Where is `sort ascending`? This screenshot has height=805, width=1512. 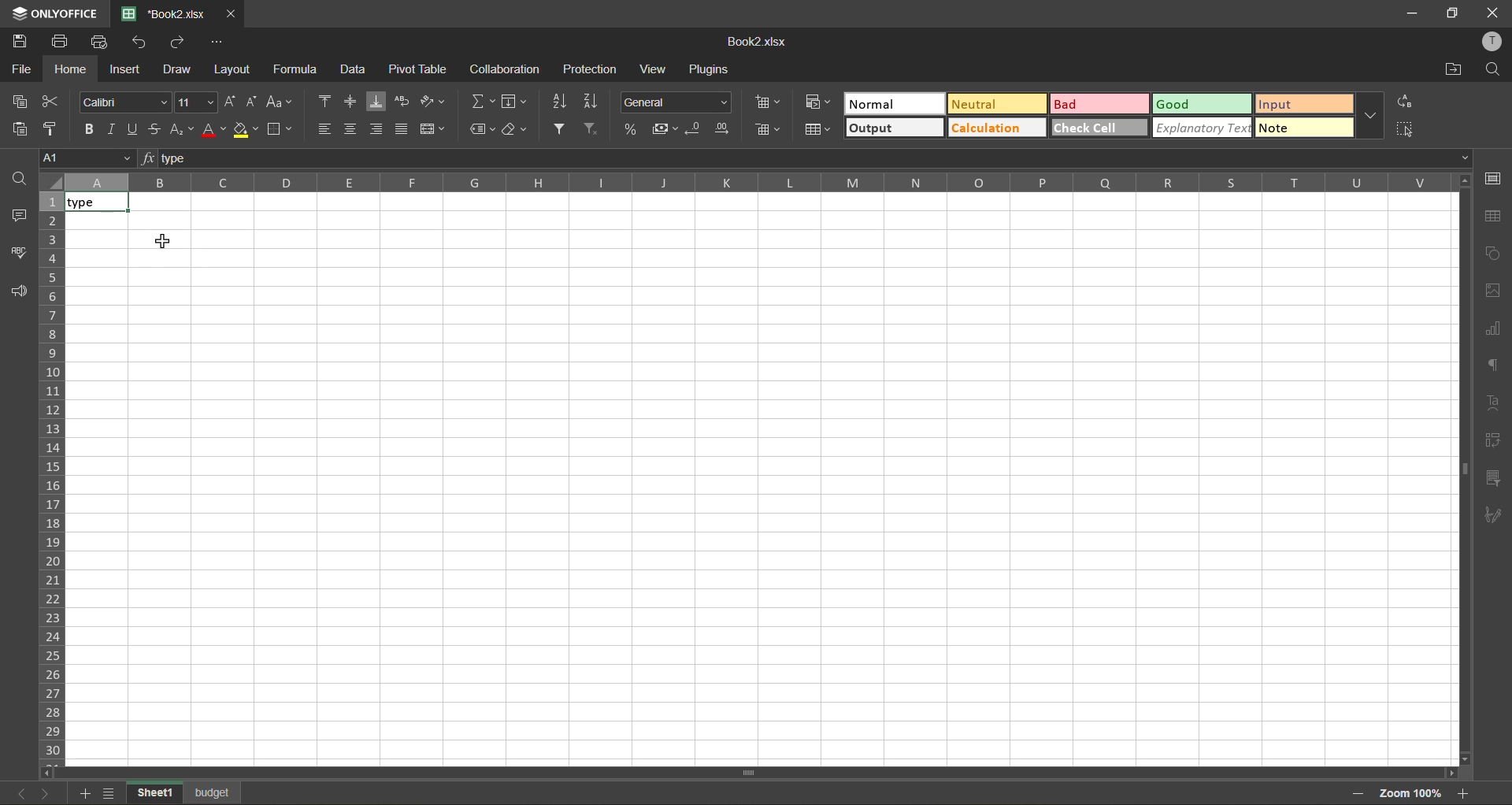 sort ascending is located at coordinates (559, 104).